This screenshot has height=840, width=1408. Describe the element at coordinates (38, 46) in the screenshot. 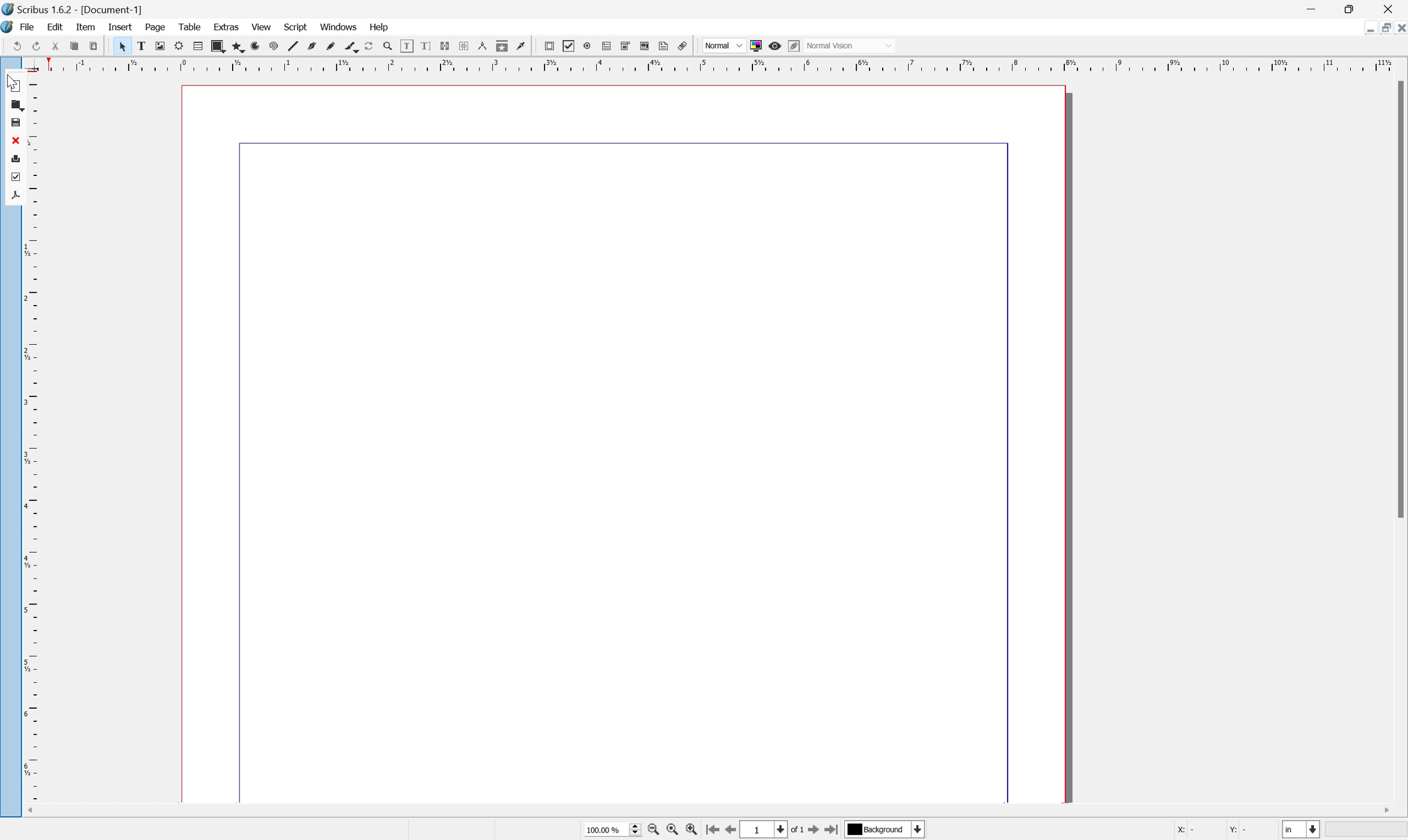

I see `open` at that location.